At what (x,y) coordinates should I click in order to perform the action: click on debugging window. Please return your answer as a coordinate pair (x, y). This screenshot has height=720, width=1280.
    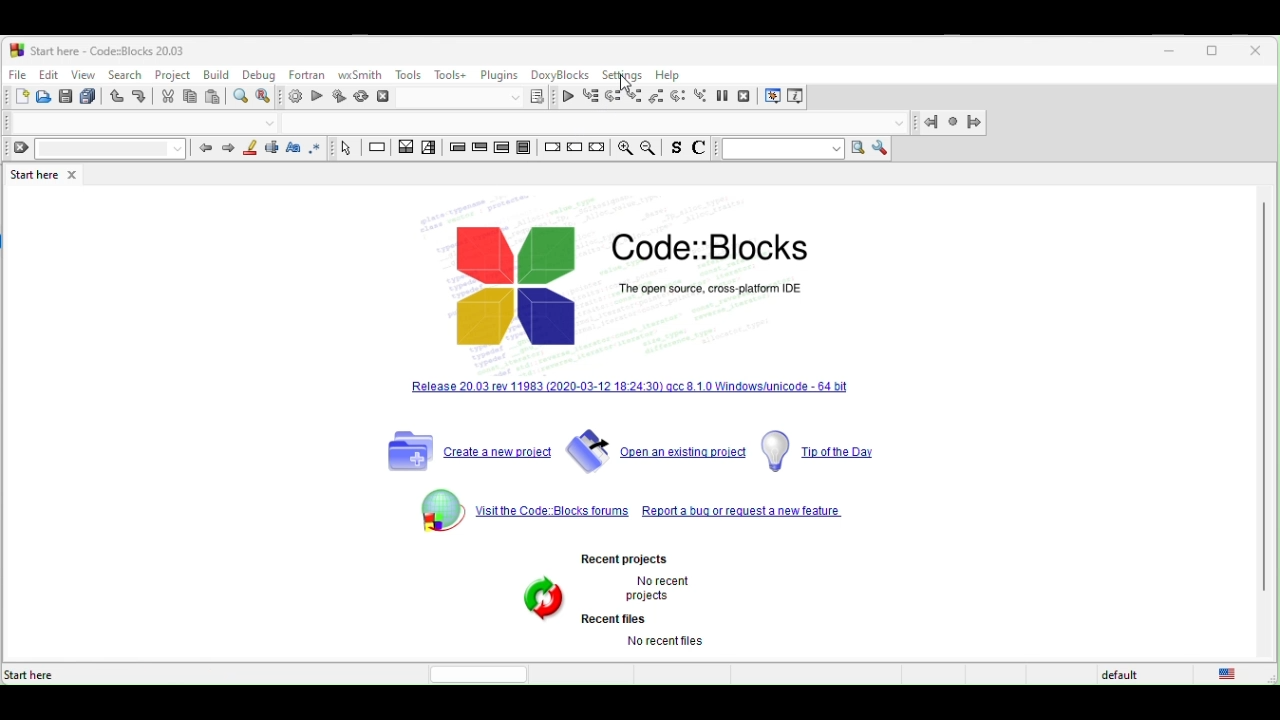
    Looking at the image, I should click on (773, 96).